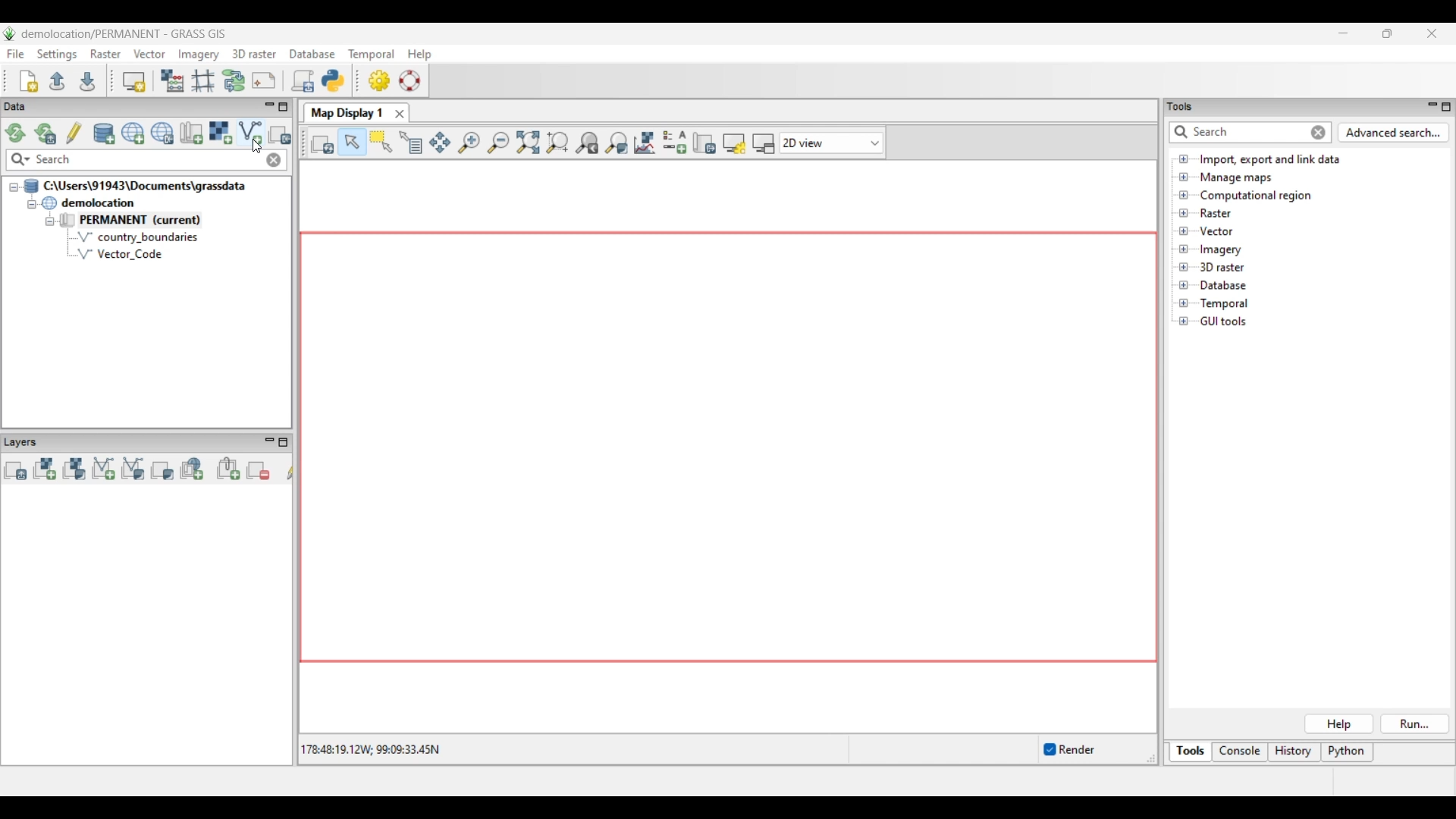 The image size is (1456, 819). What do you see at coordinates (419, 54) in the screenshot?
I see `Help menu` at bounding box center [419, 54].